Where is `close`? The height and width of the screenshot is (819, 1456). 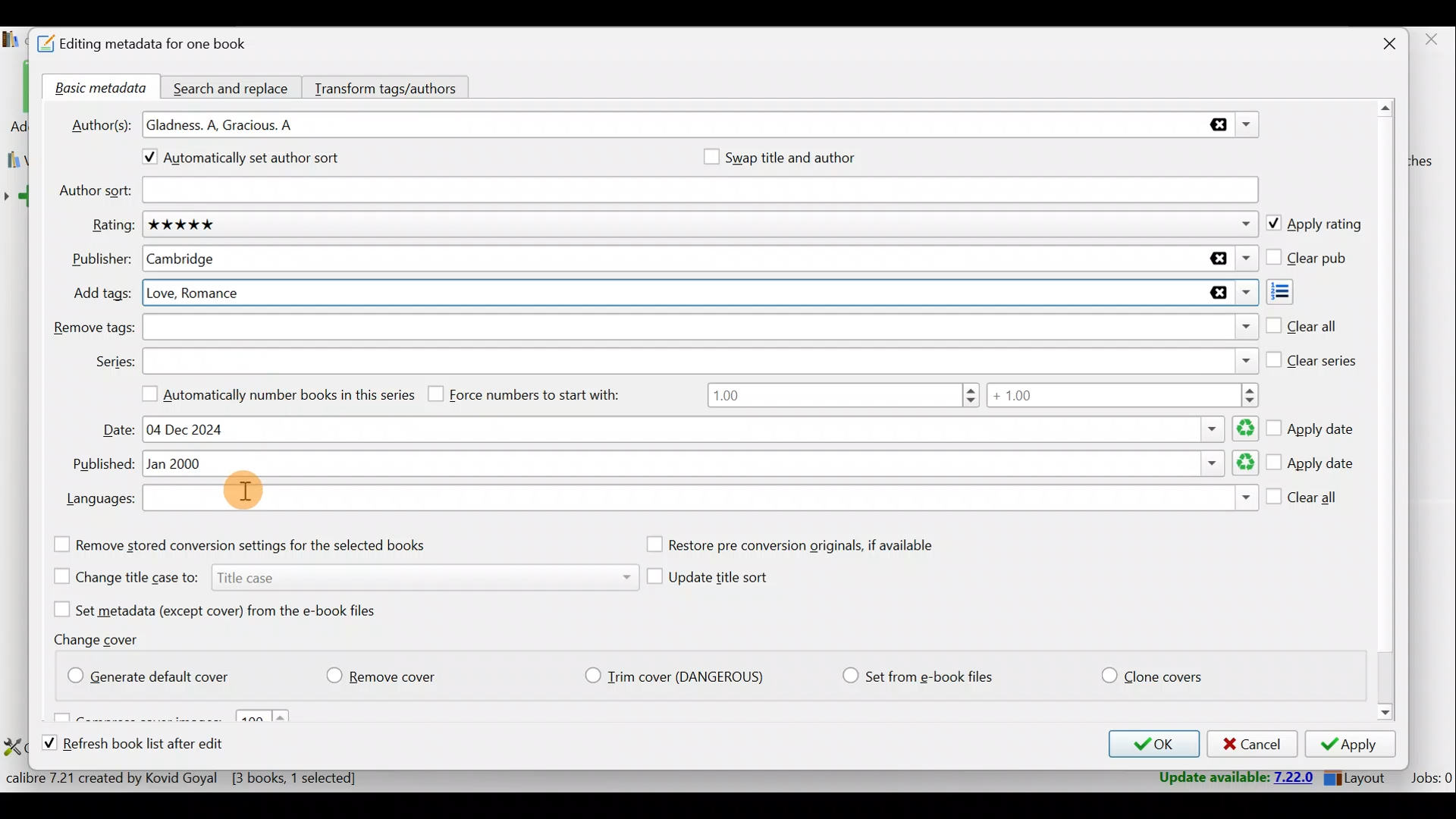
close is located at coordinates (1430, 40).